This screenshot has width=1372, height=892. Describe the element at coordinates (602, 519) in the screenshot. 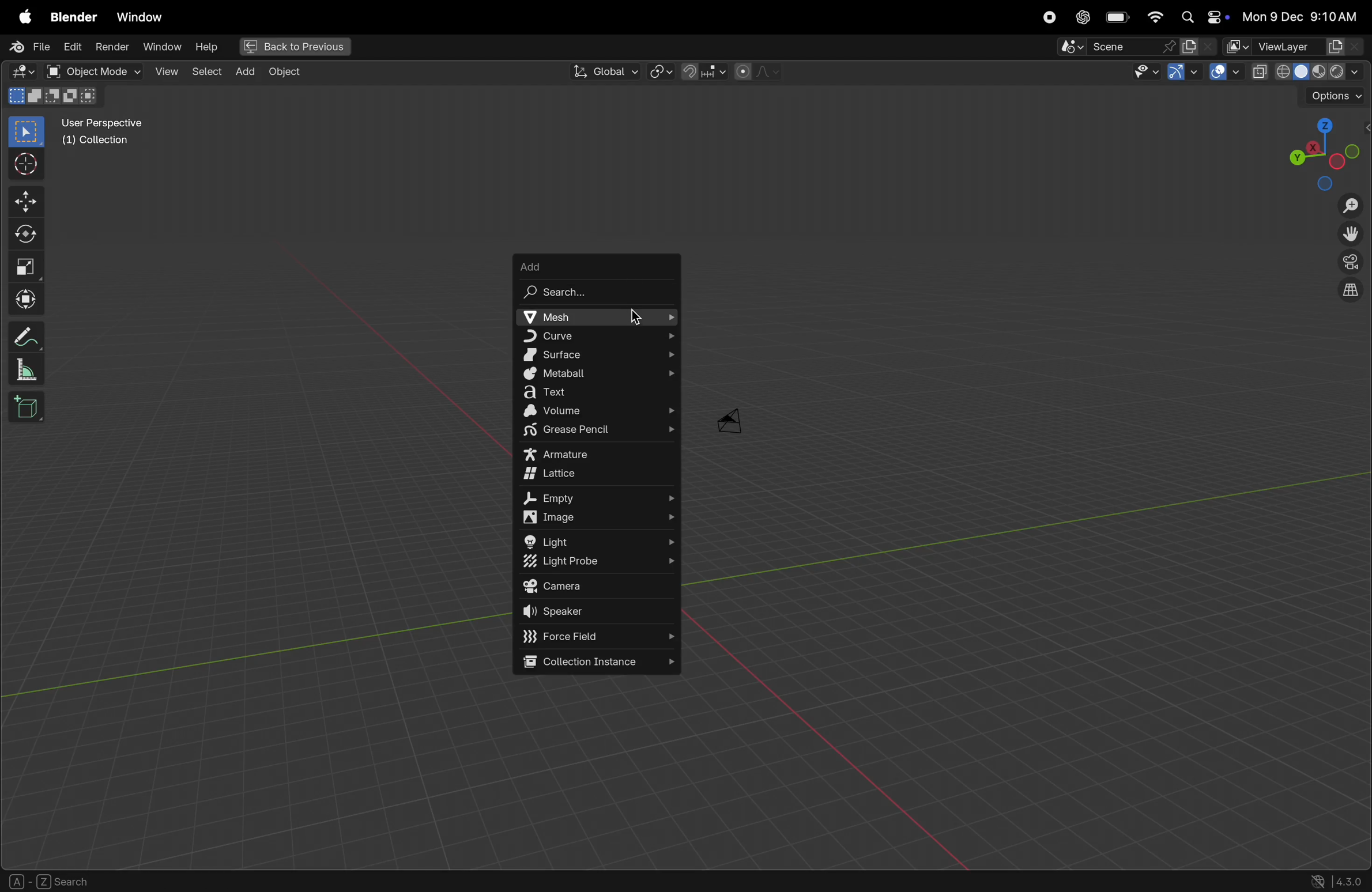

I see `image` at that location.